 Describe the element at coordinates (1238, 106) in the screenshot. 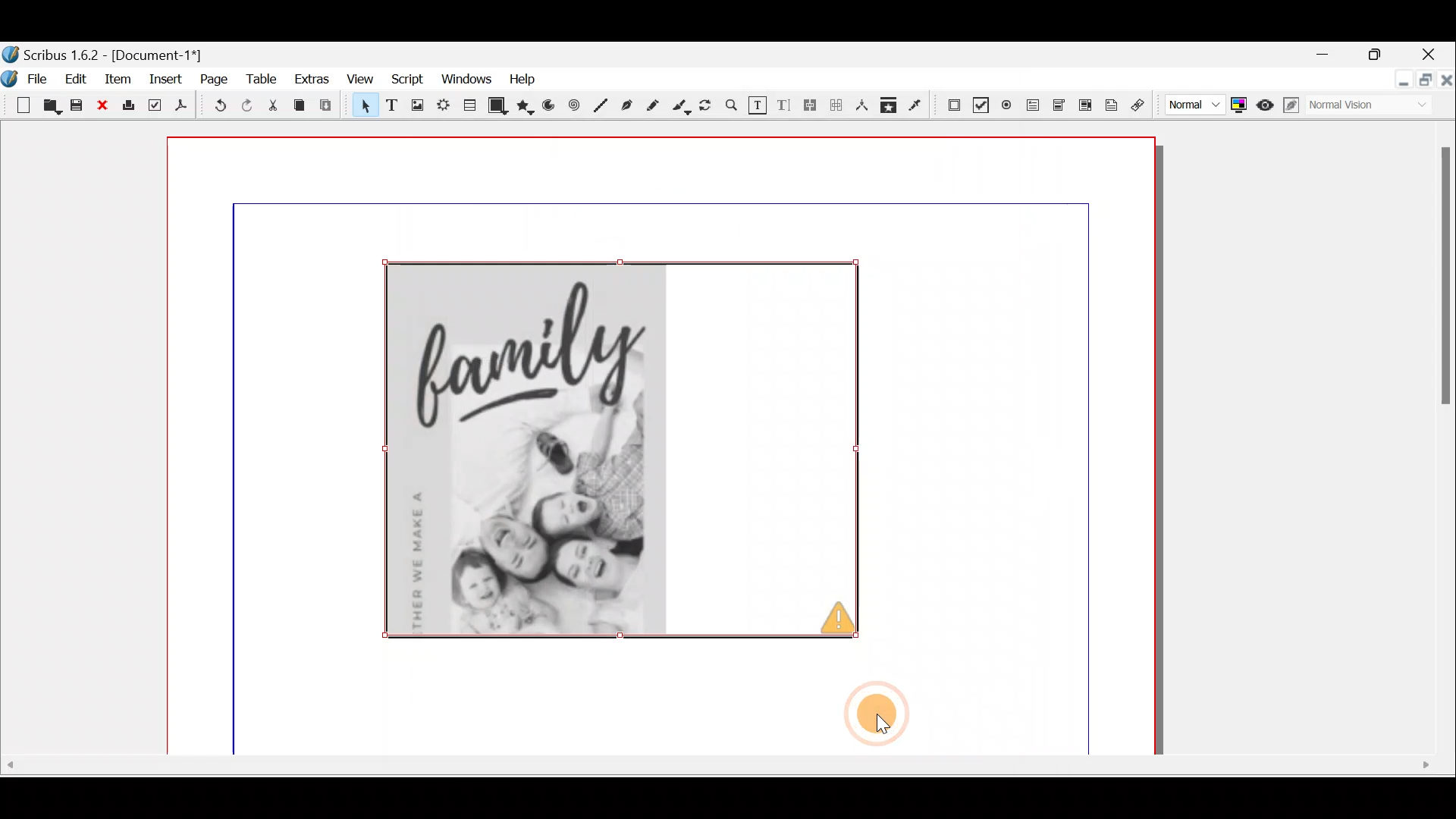

I see `Toggle colour management system` at that location.